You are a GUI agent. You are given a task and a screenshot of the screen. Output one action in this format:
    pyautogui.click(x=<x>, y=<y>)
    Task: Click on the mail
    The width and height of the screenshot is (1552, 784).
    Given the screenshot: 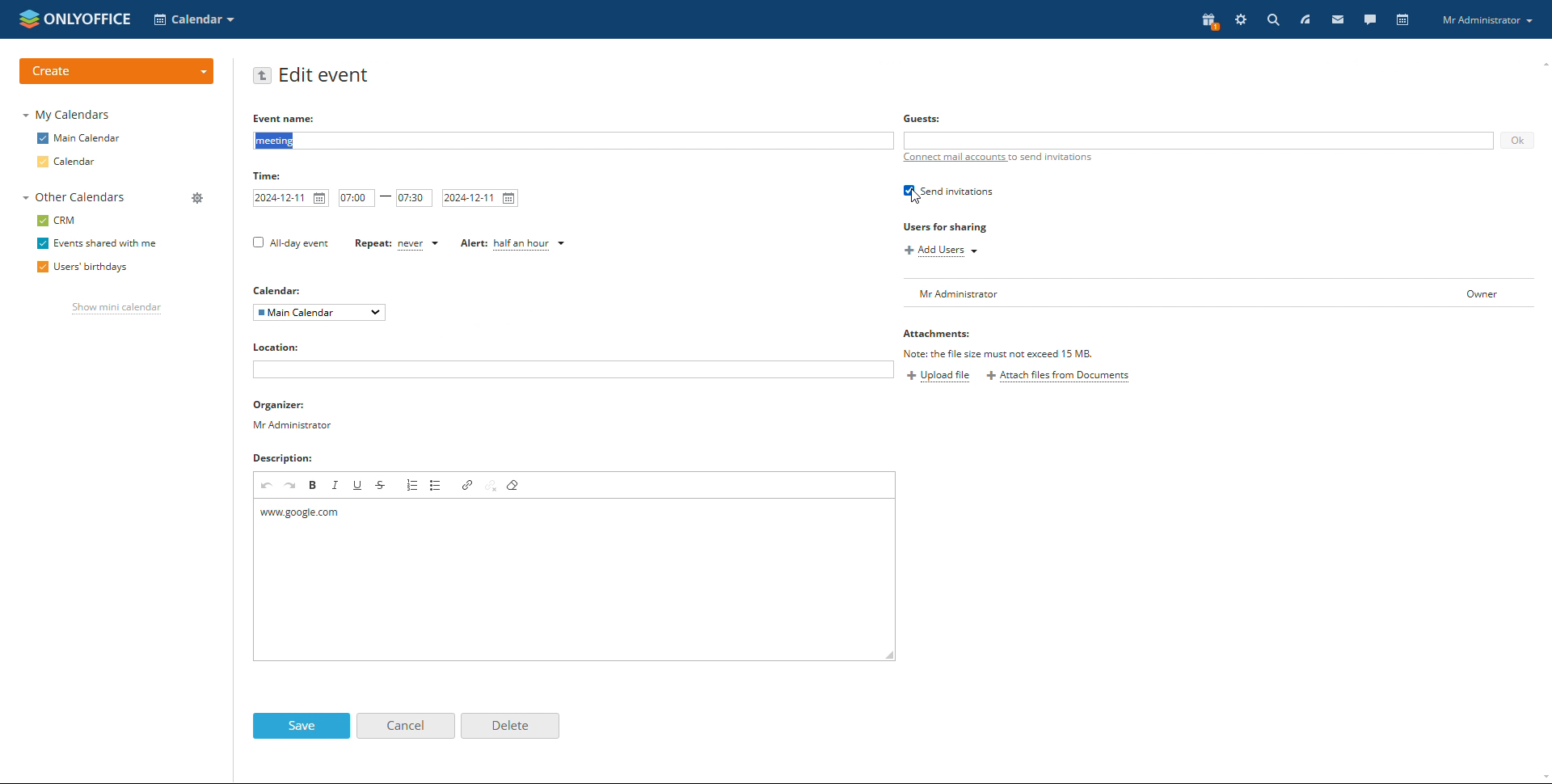 What is the action you would take?
    pyautogui.click(x=1339, y=19)
    